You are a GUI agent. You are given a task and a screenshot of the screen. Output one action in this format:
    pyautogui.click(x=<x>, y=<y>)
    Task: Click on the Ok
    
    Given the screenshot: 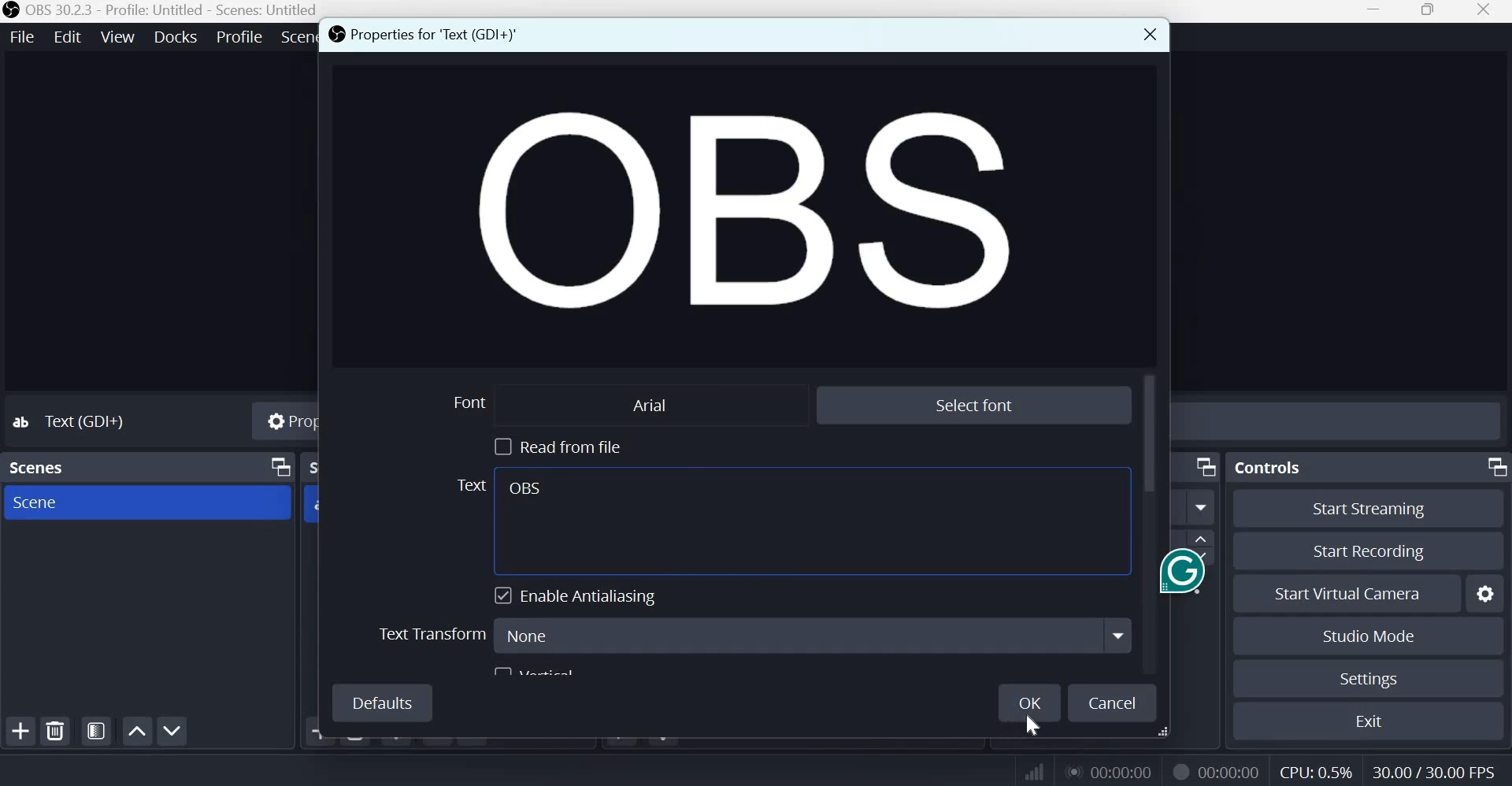 What is the action you would take?
    pyautogui.click(x=1032, y=703)
    